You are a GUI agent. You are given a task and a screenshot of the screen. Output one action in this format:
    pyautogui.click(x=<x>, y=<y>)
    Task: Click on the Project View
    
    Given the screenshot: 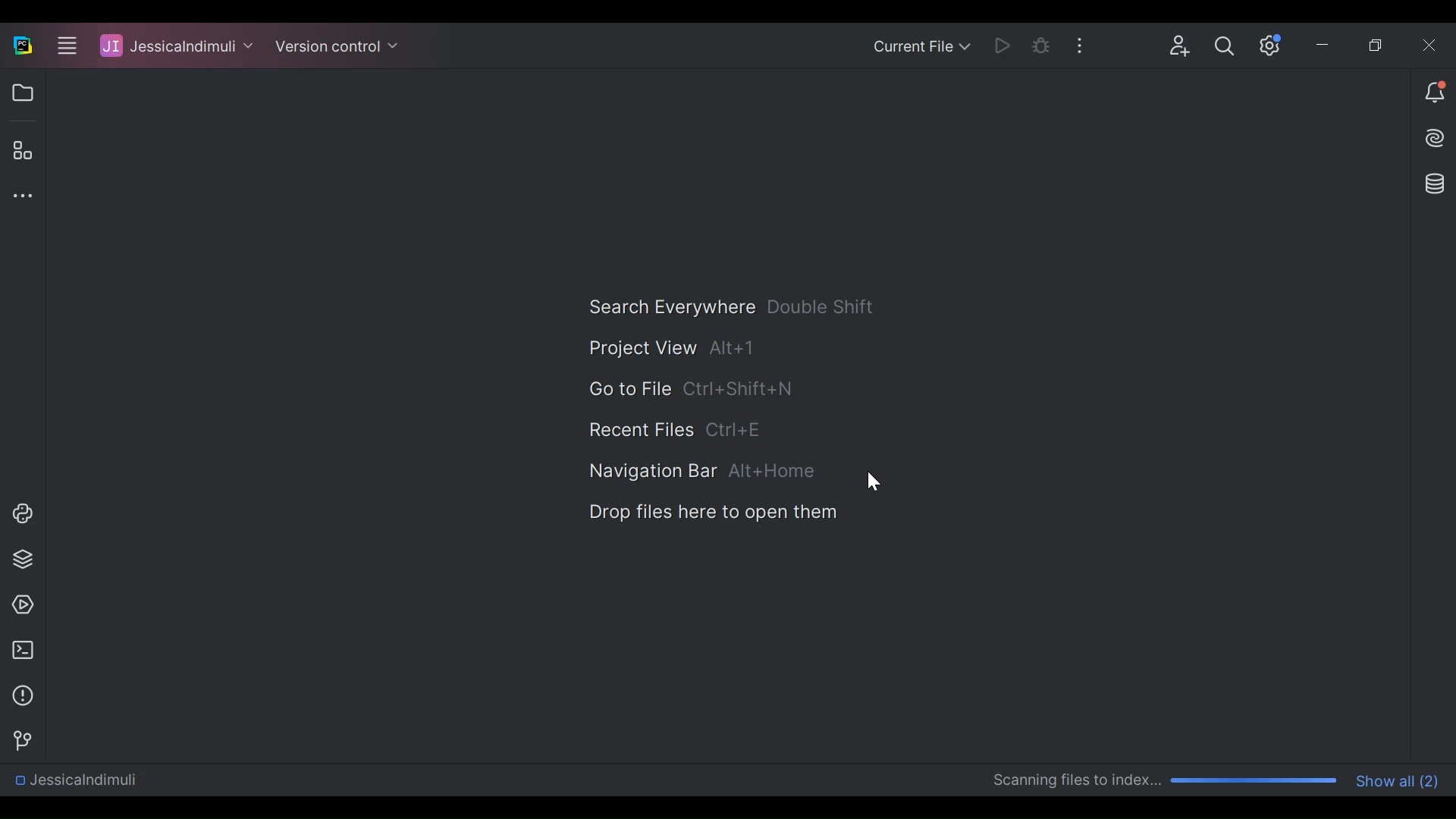 What is the action you would take?
    pyautogui.click(x=22, y=93)
    